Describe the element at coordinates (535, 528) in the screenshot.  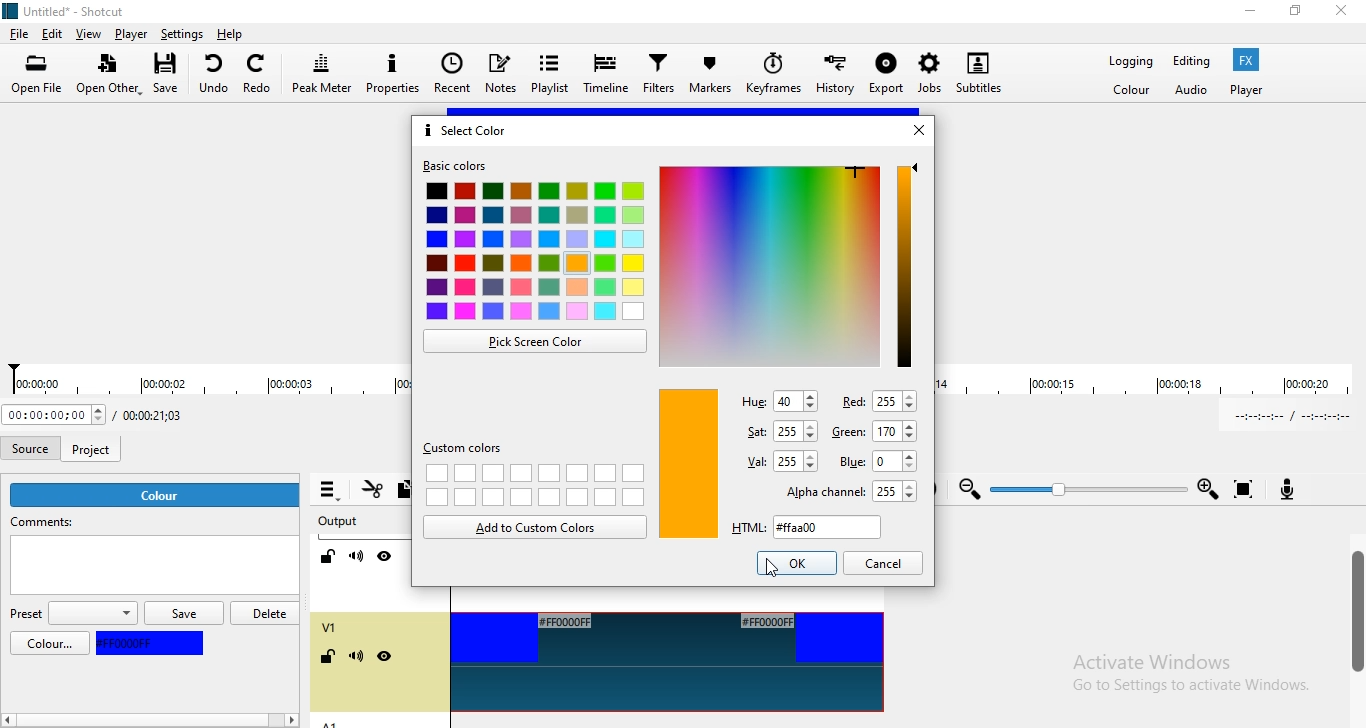
I see `add to custom colors` at that location.